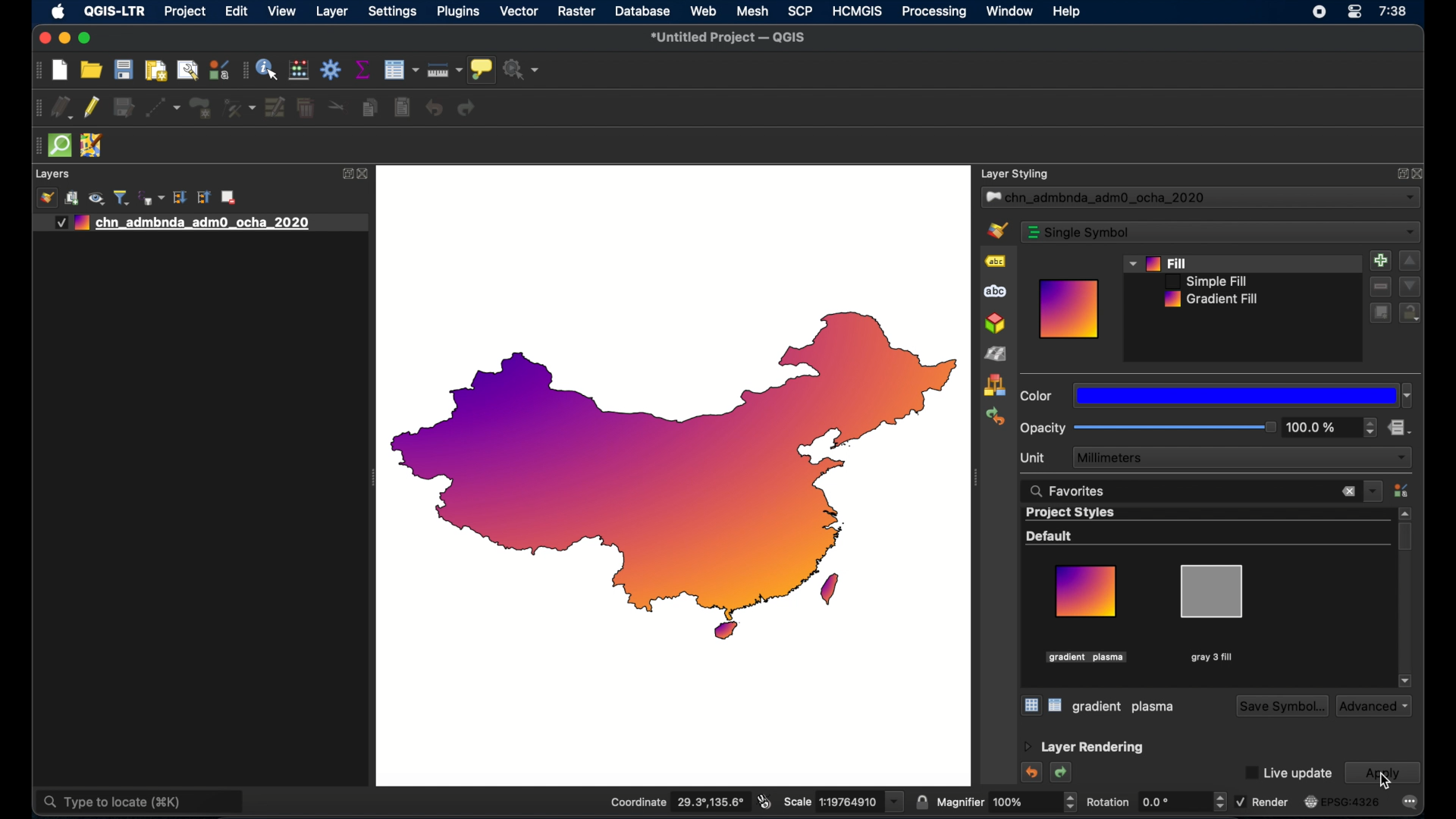 This screenshot has width=1456, height=819. I want to click on highlighted, so click(1087, 657).